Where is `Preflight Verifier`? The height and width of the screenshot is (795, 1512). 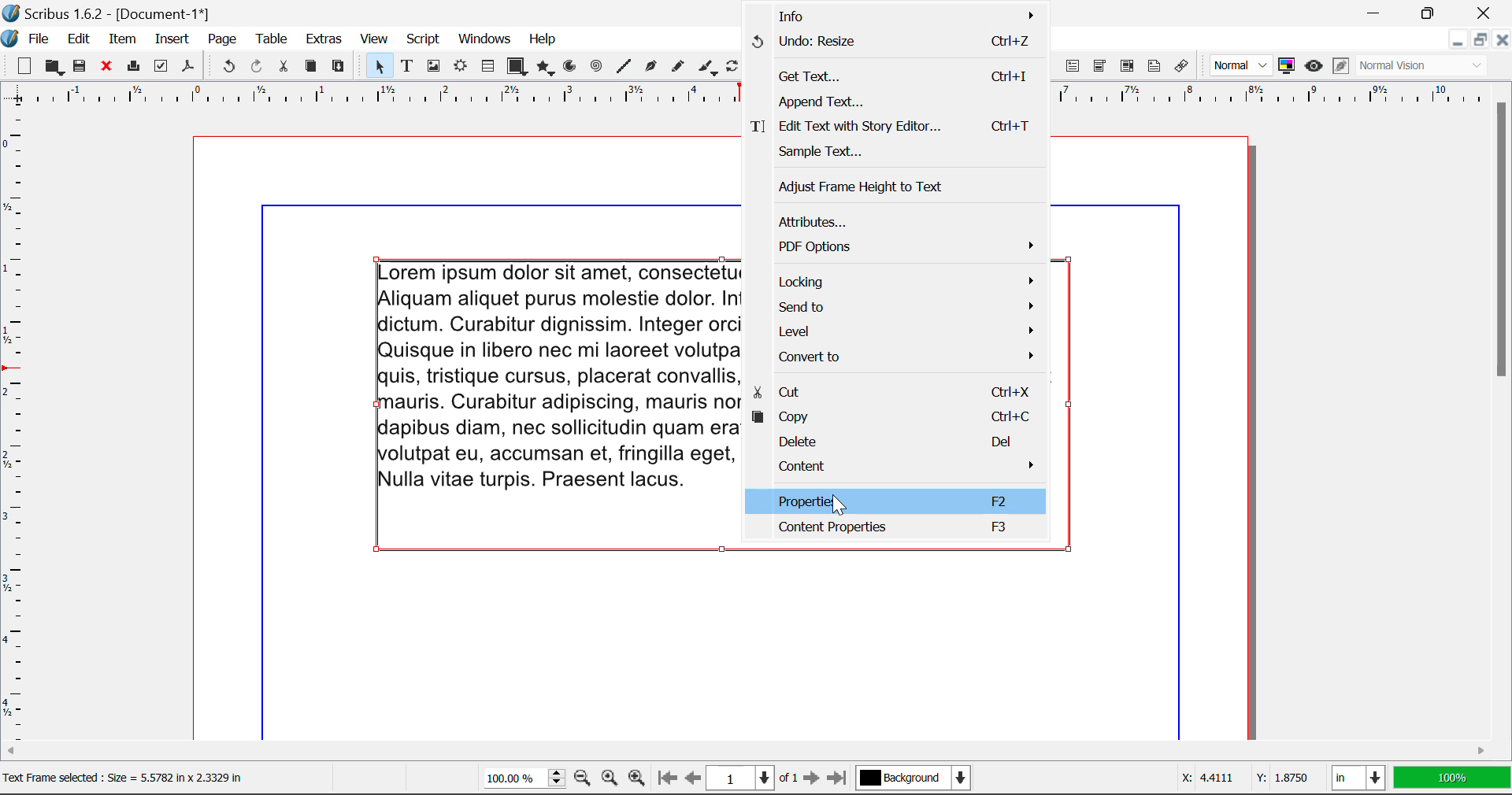 Preflight Verifier is located at coordinates (161, 68).